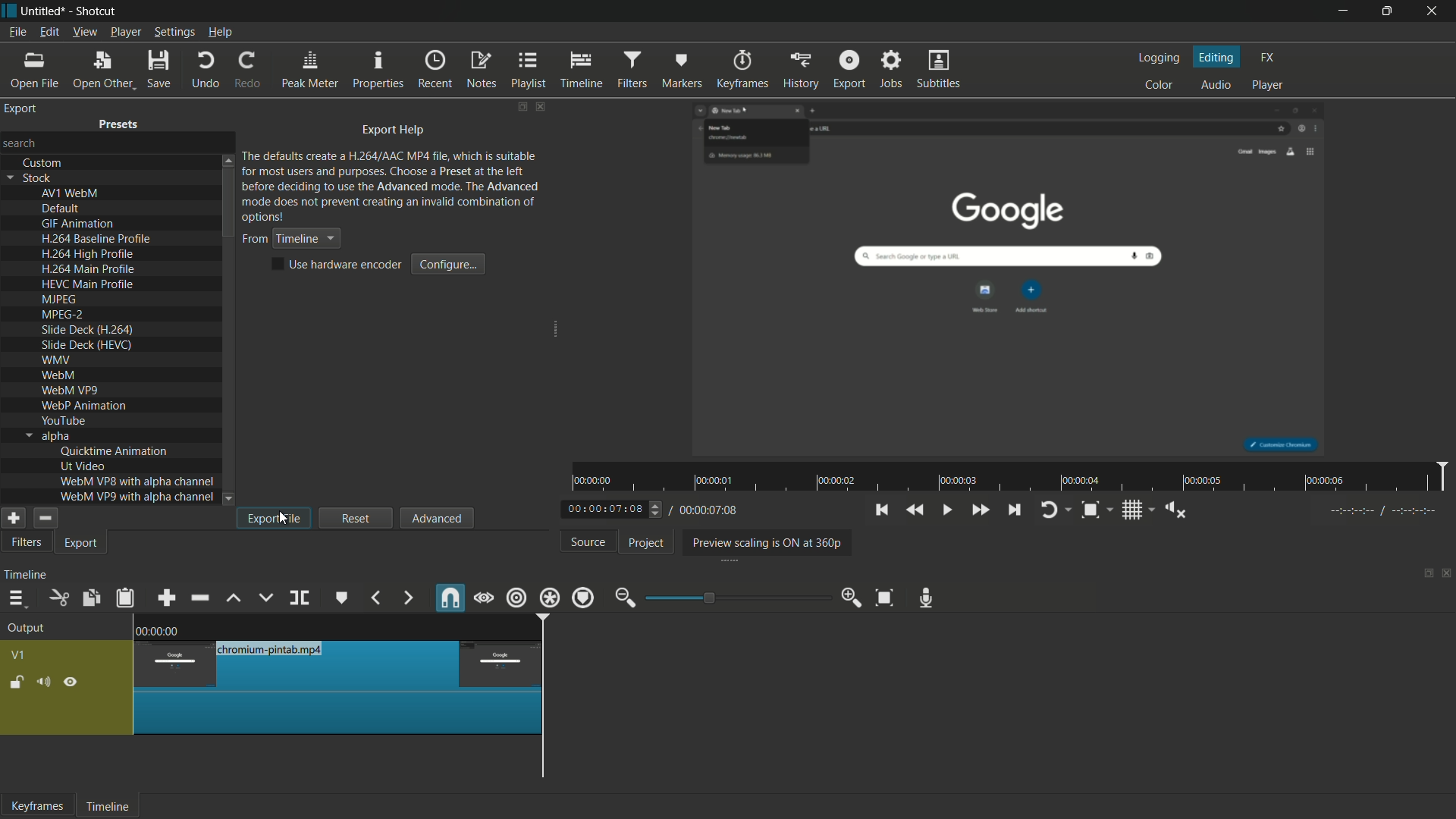 The height and width of the screenshot is (819, 1456). Describe the element at coordinates (61, 208) in the screenshot. I see `default` at that location.